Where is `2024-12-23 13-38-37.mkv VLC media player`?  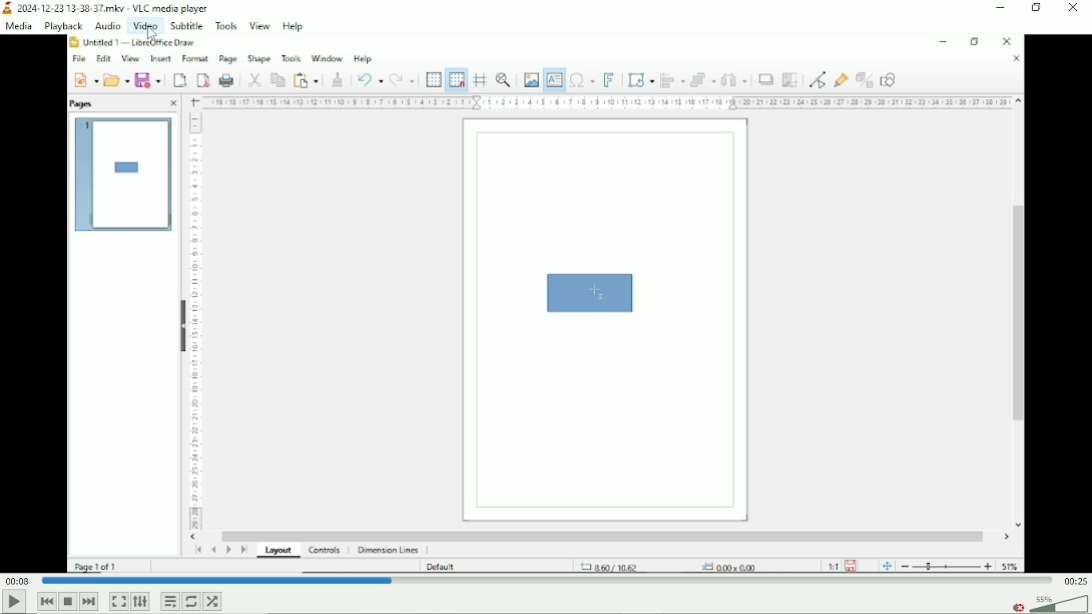
2024-12-23 13-38-37.mkv VLC media player is located at coordinates (112, 7).